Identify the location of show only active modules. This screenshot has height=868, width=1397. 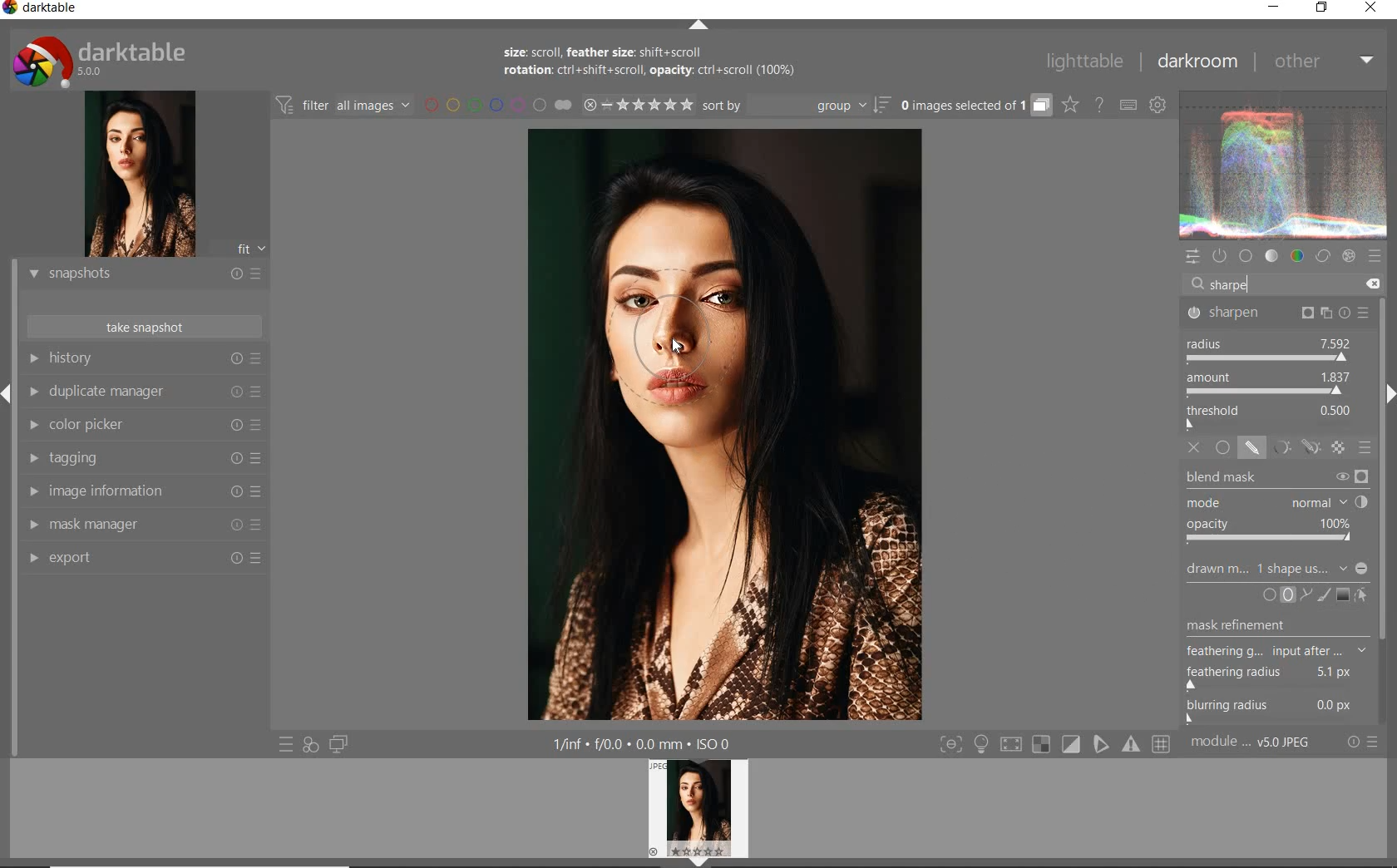
(1220, 257).